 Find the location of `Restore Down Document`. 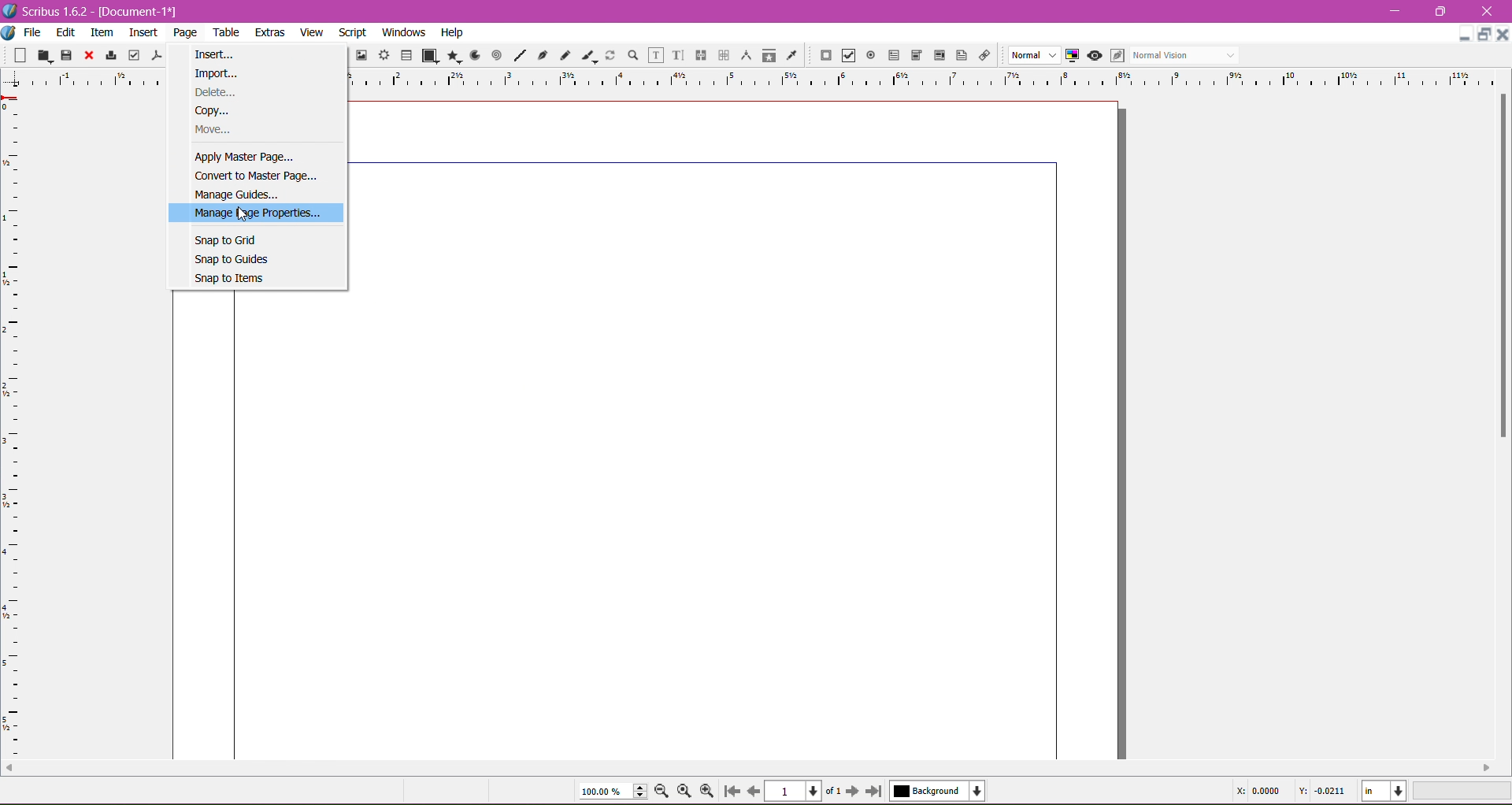

Restore Down Document is located at coordinates (1485, 34).